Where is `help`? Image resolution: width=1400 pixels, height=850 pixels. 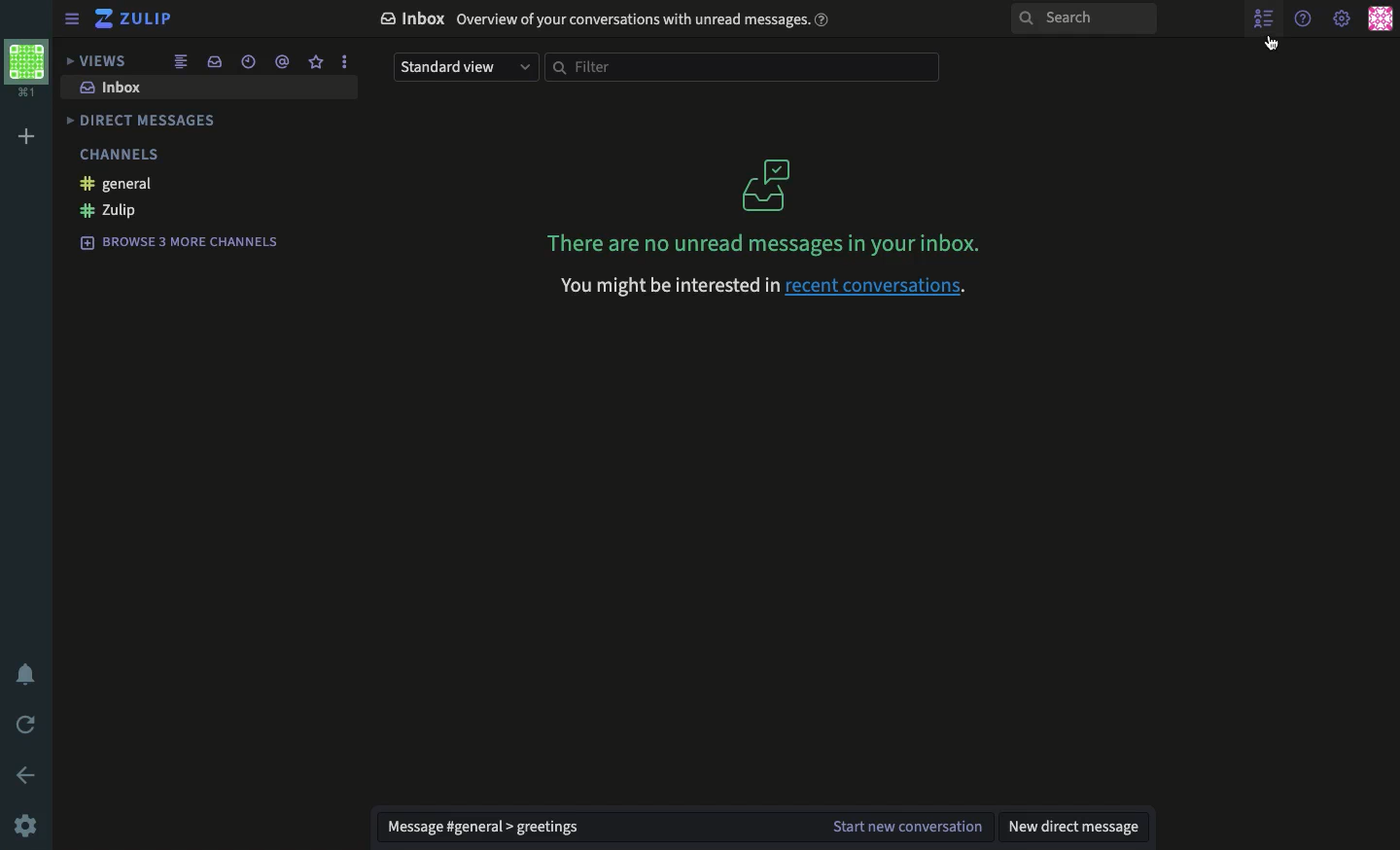
help is located at coordinates (1304, 18).